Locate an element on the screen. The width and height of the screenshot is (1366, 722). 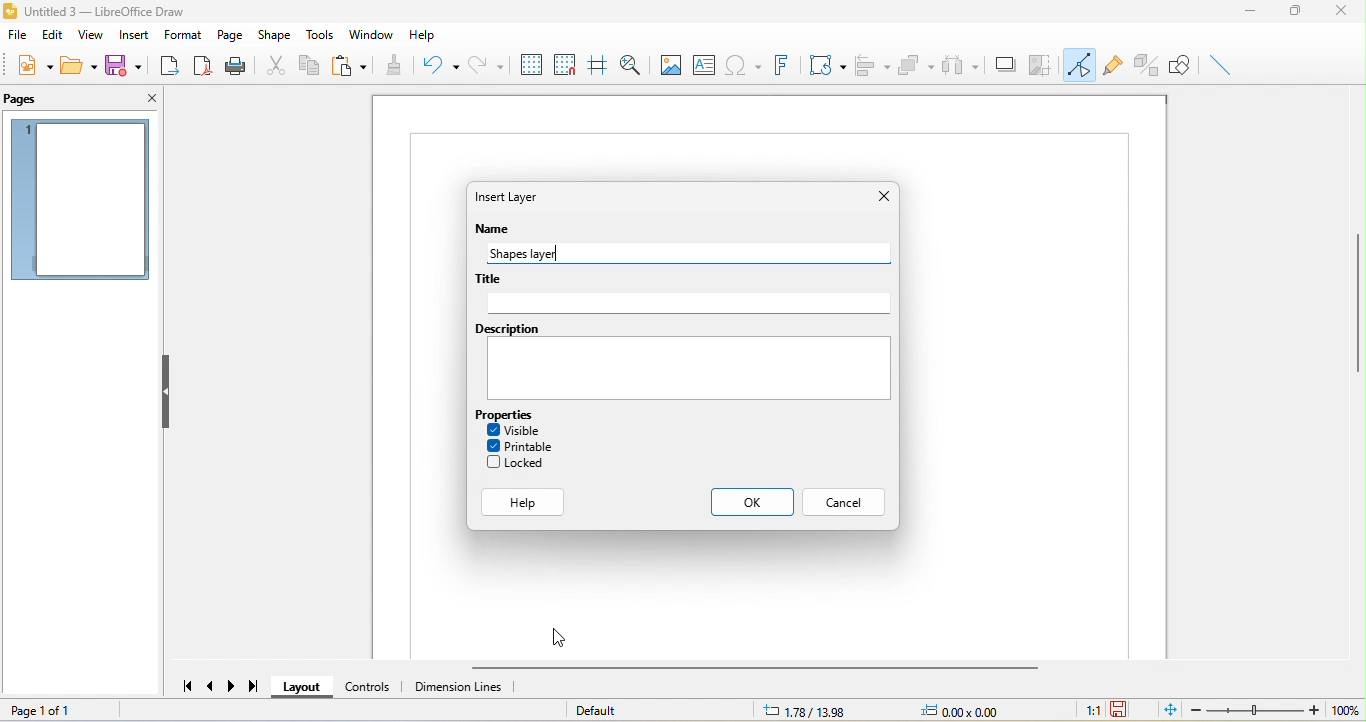
print is located at coordinates (240, 66).